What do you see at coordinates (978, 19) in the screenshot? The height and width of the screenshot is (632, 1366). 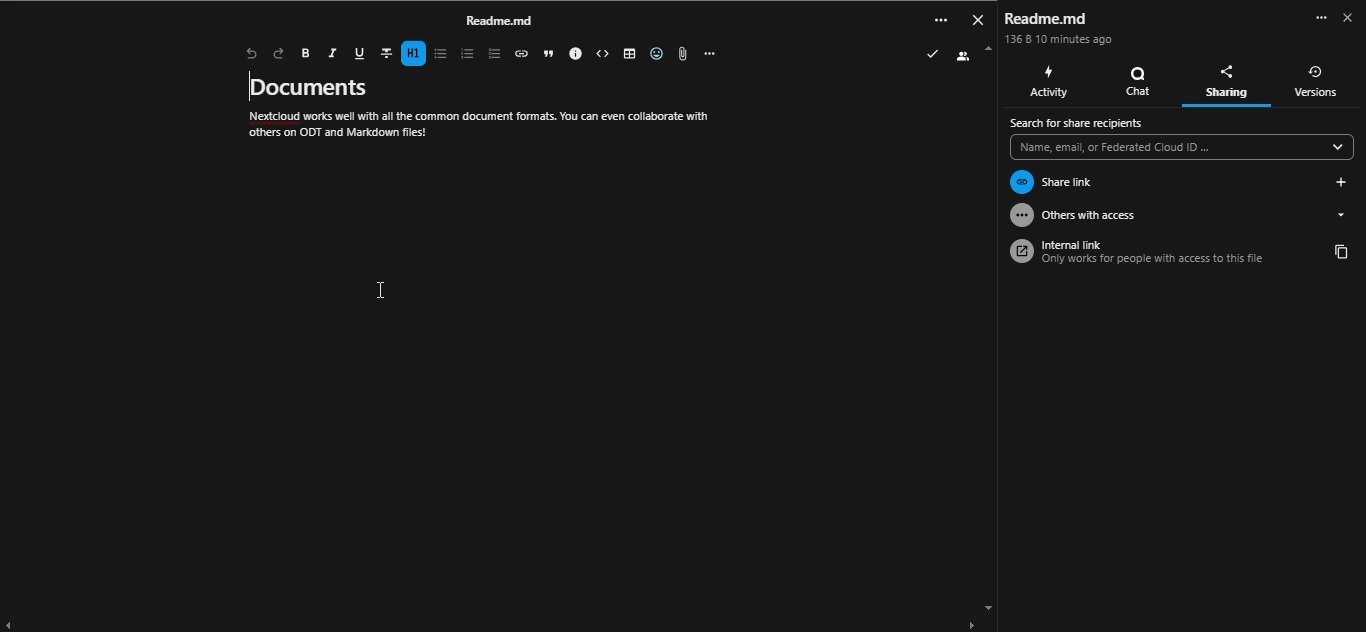 I see `close` at bounding box center [978, 19].